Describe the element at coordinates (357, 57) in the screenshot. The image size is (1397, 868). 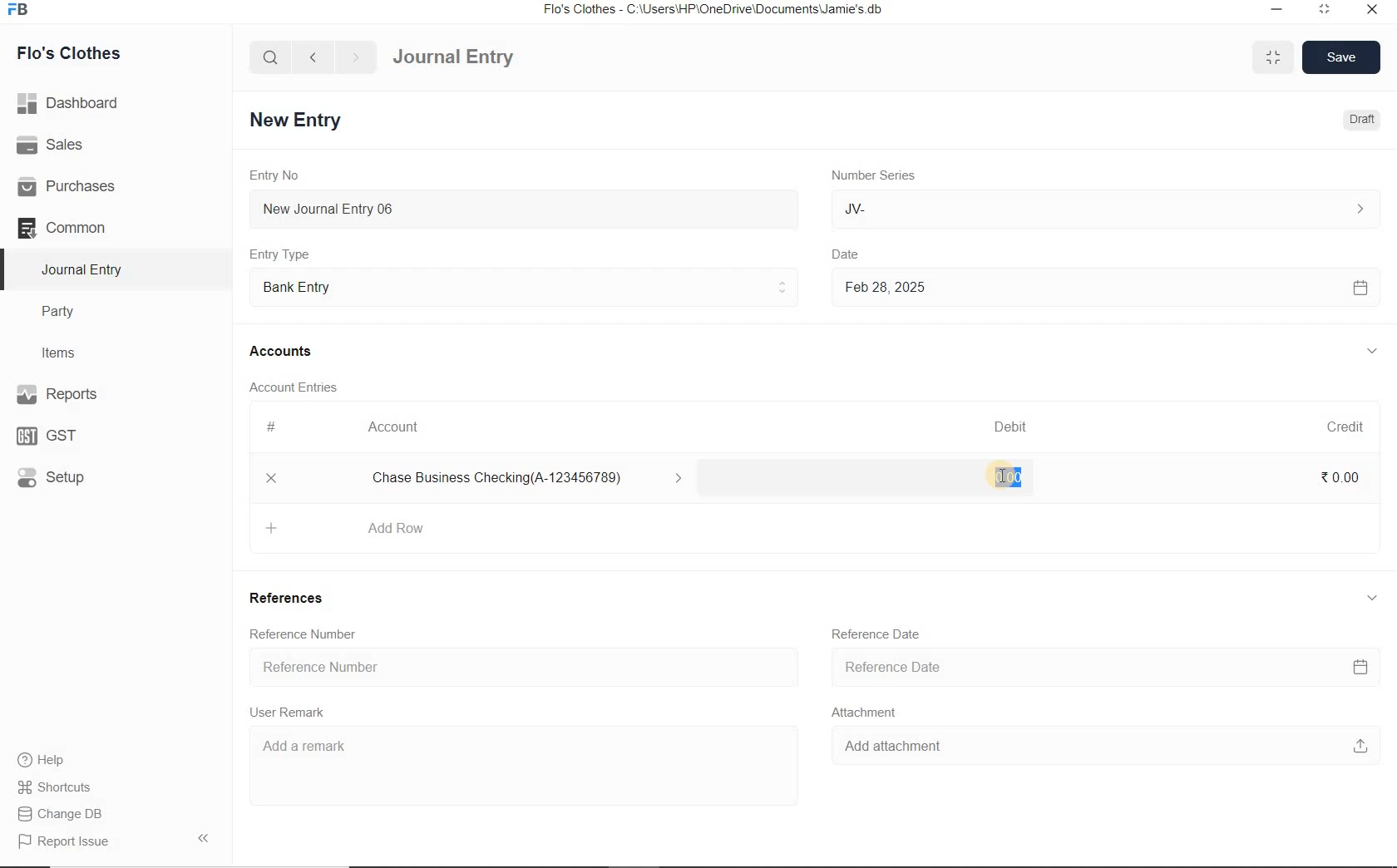
I see `forward` at that location.